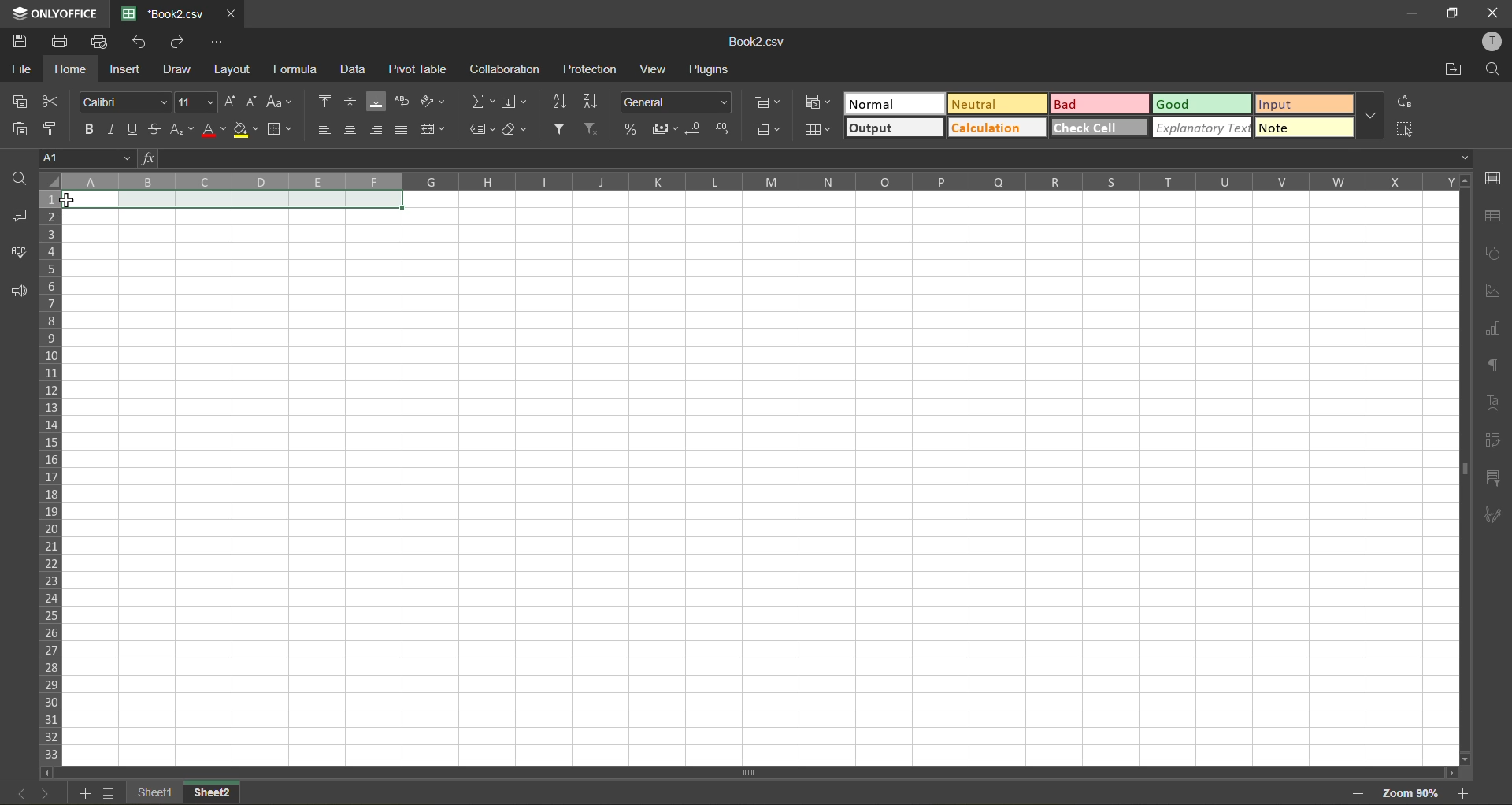  What do you see at coordinates (139, 42) in the screenshot?
I see `undo` at bounding box center [139, 42].